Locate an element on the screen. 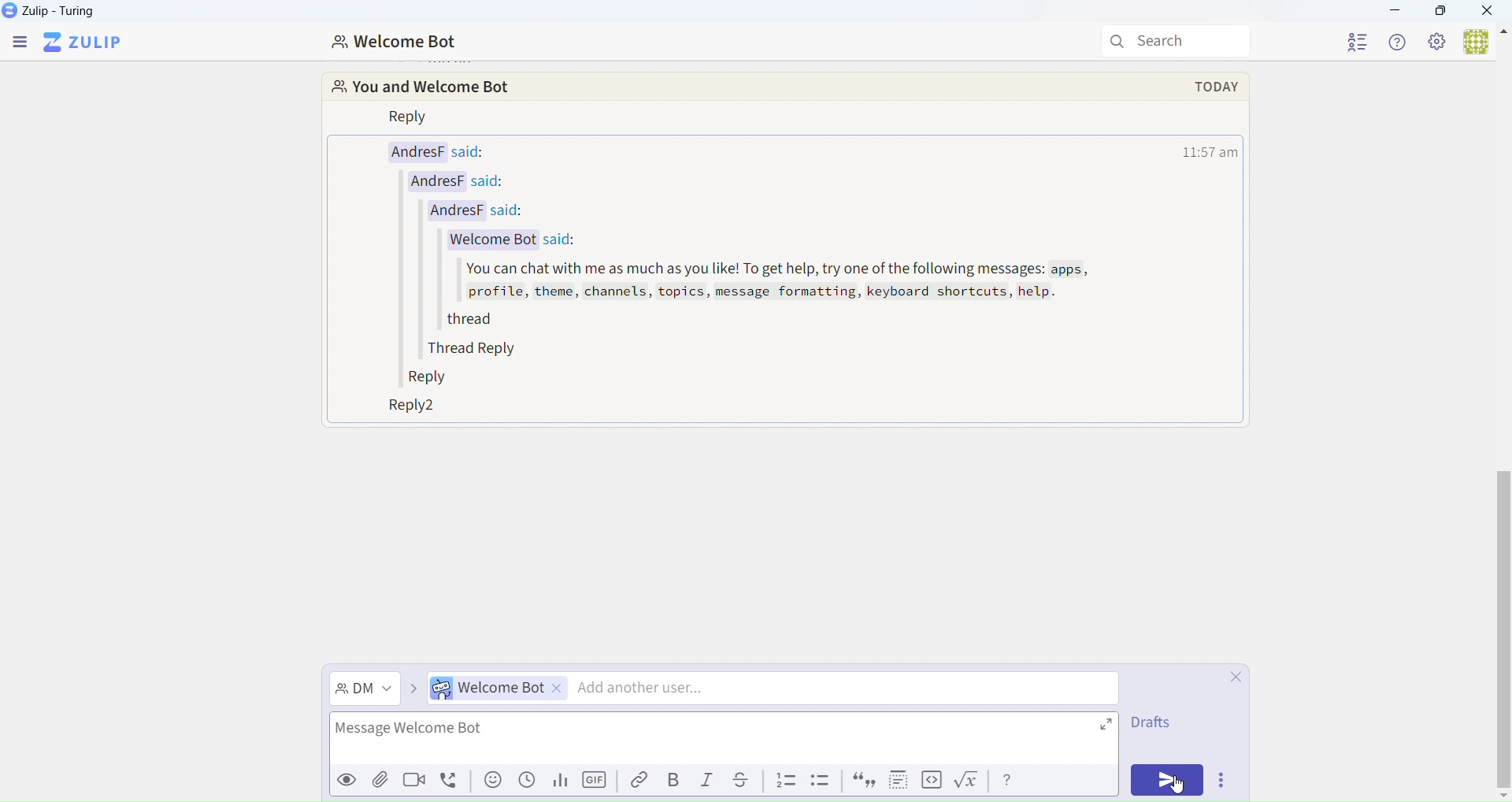 This screenshot has width=1512, height=802. Settings is located at coordinates (1436, 41).